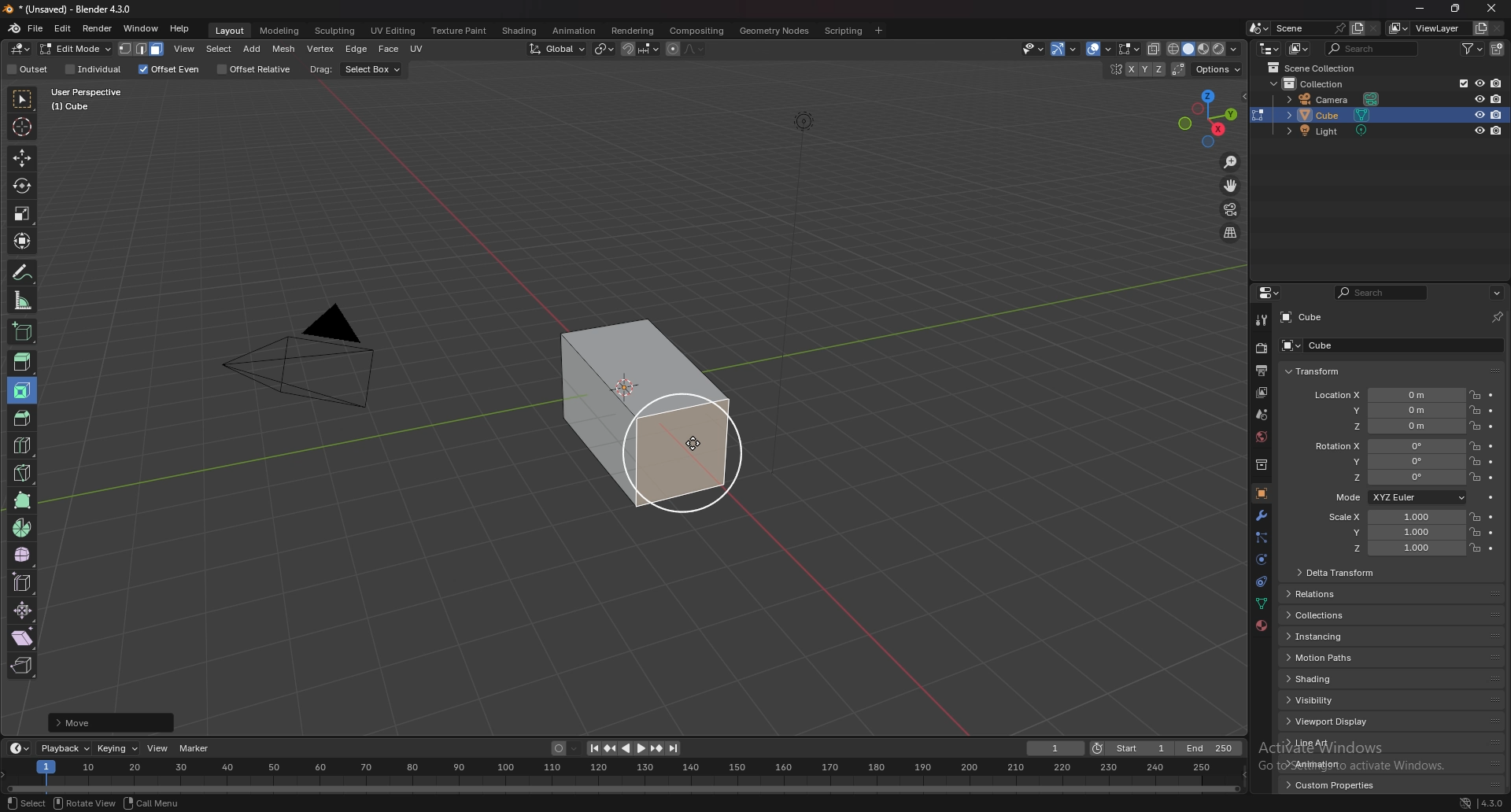 The height and width of the screenshot is (812, 1511). What do you see at coordinates (1492, 498) in the screenshot?
I see `animate property` at bounding box center [1492, 498].